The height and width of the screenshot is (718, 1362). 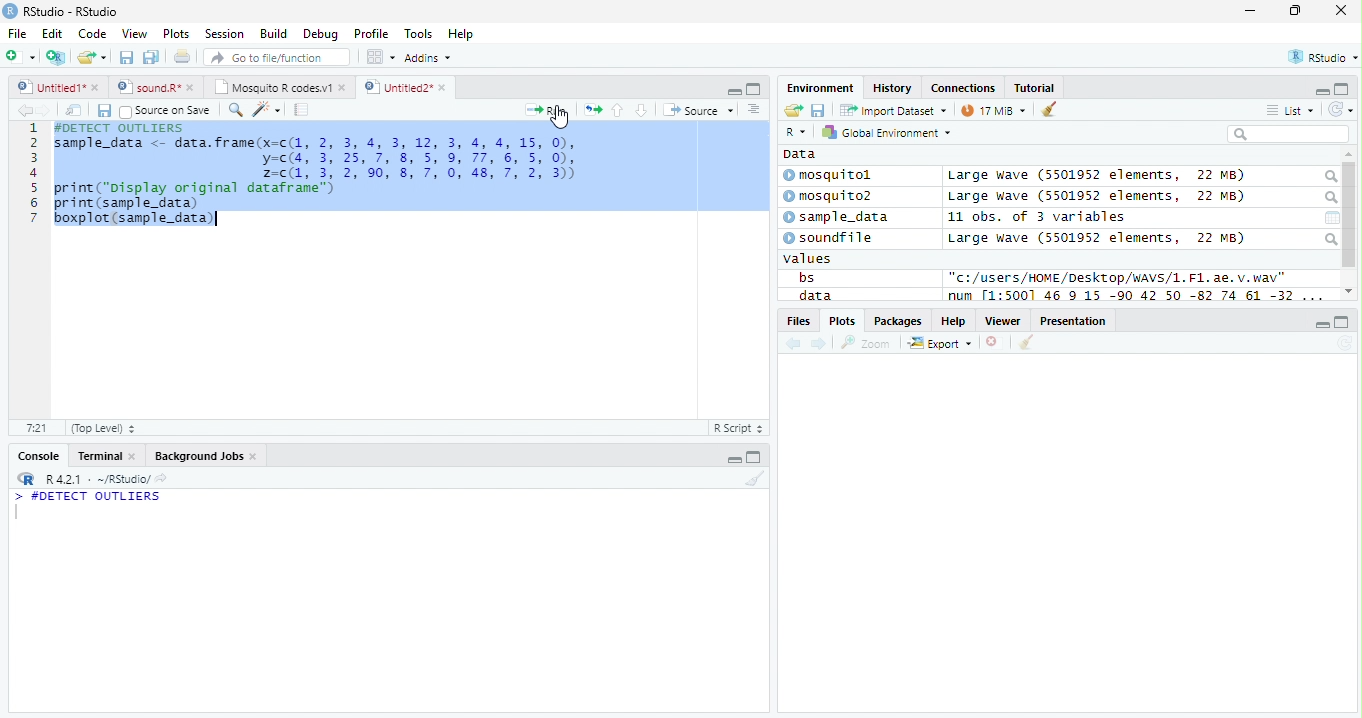 I want to click on Background Jobs, so click(x=204, y=456).